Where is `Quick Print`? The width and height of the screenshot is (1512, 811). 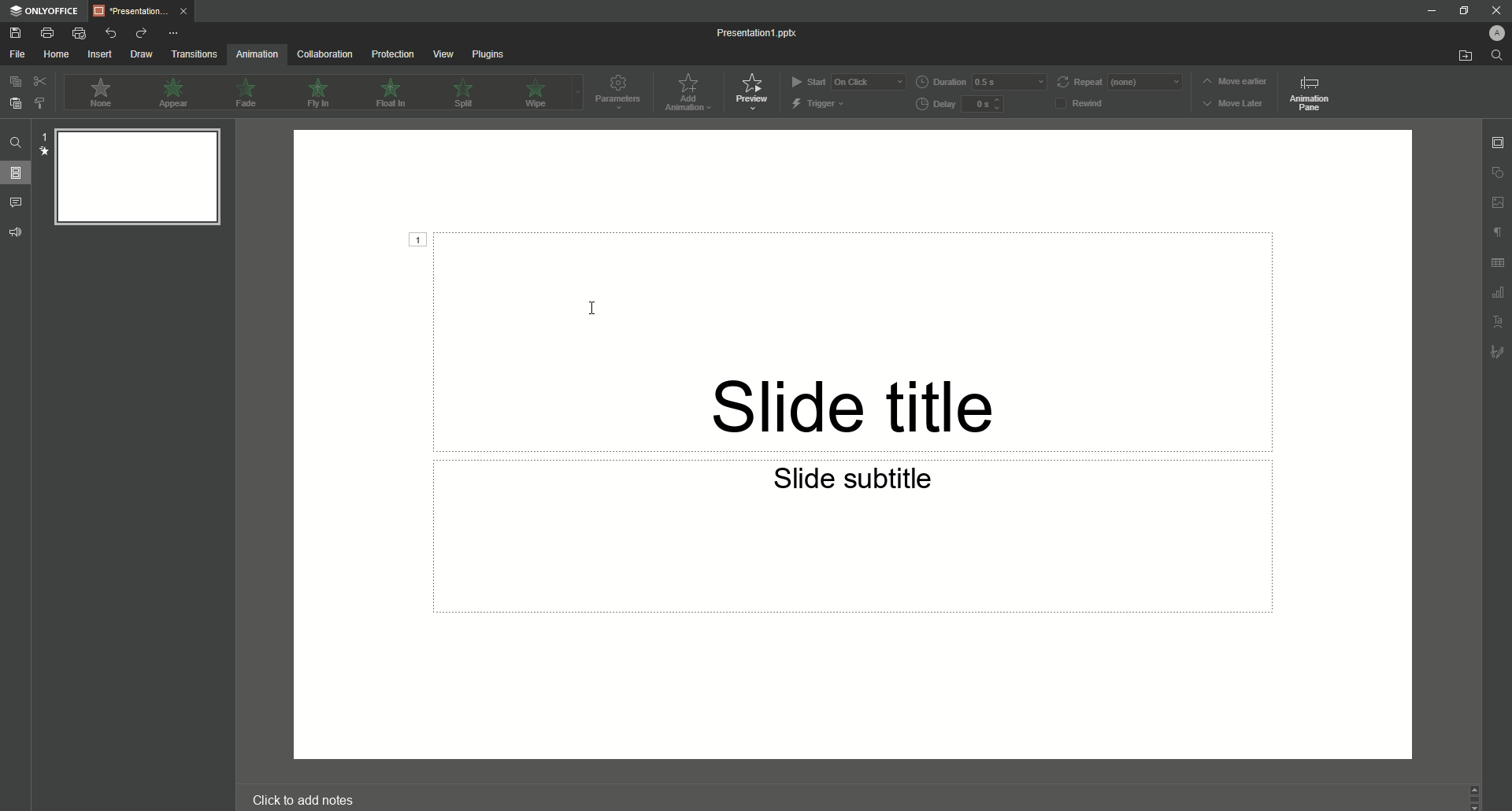
Quick Print is located at coordinates (79, 33).